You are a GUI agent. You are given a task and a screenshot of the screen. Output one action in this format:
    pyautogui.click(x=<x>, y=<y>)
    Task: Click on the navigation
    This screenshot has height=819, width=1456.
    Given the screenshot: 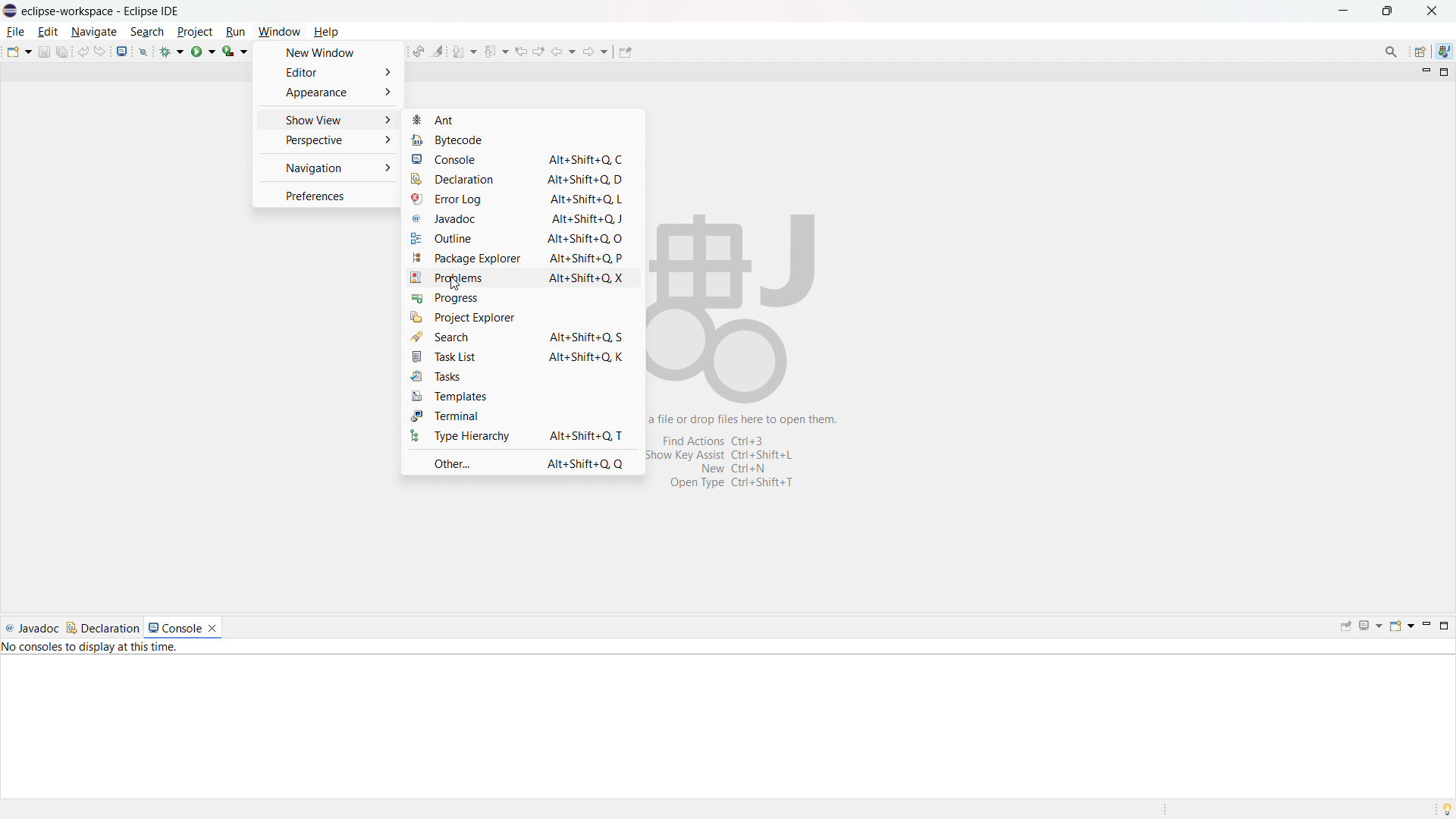 What is the action you would take?
    pyautogui.click(x=325, y=168)
    